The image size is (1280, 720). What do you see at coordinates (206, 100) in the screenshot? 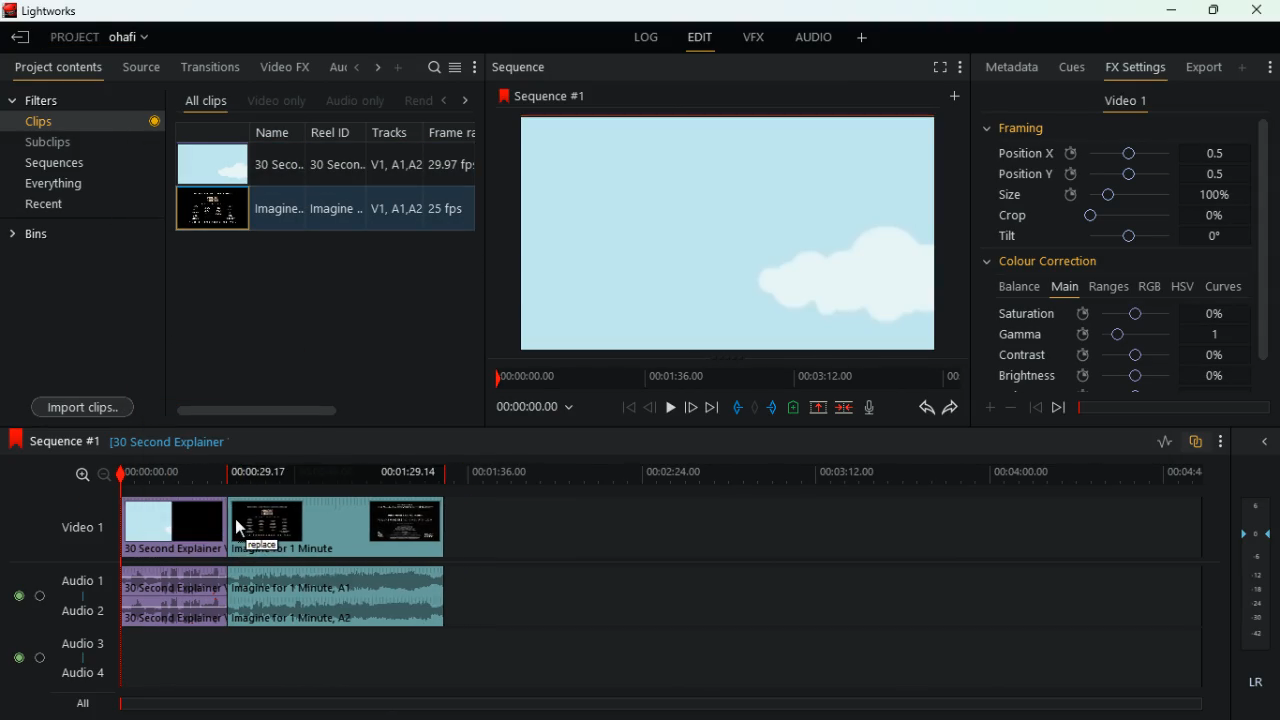
I see `all clips` at bounding box center [206, 100].